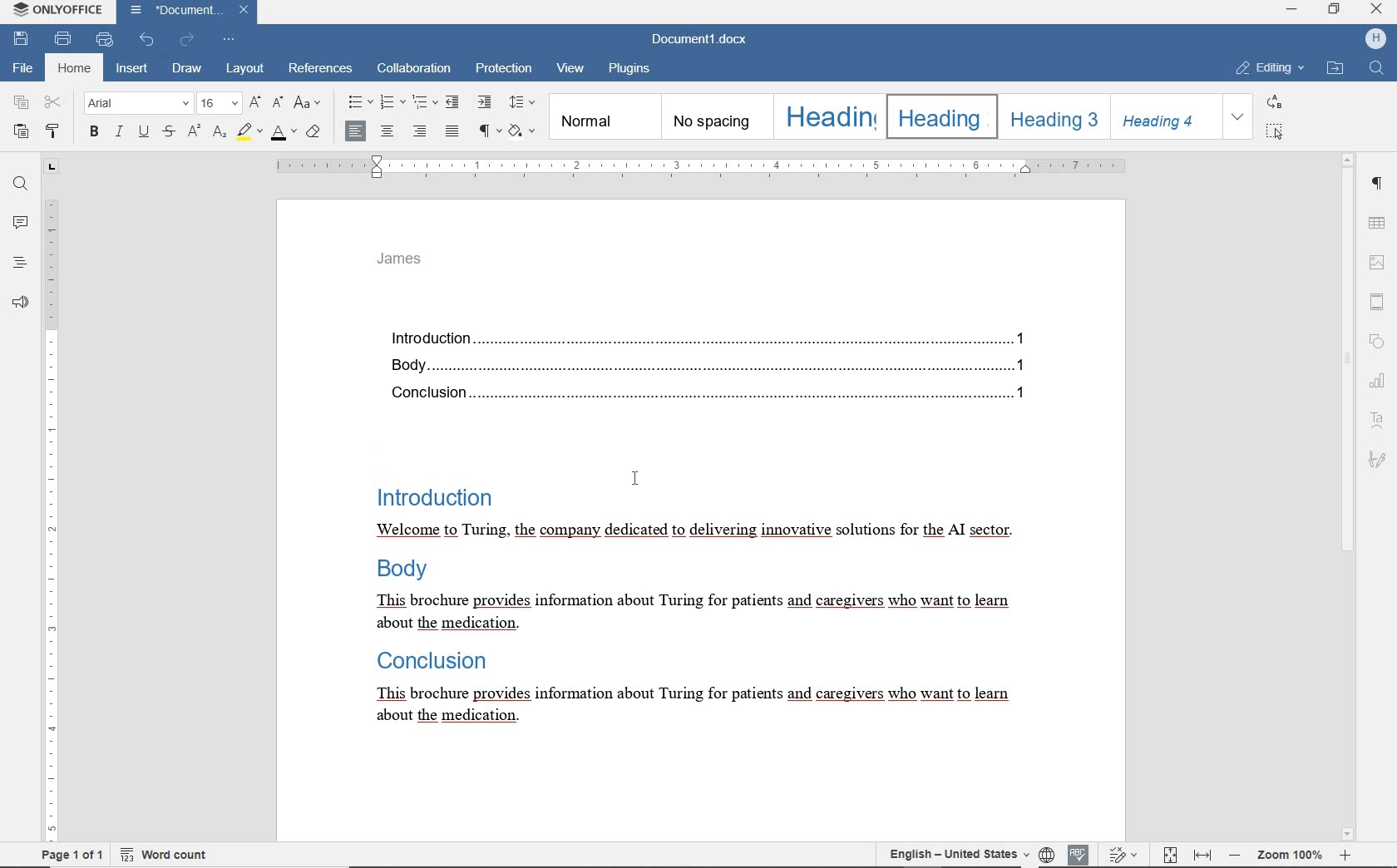 The width and height of the screenshot is (1397, 868). I want to click on Conclusion...........................................................................................................................................1, so click(715, 395).